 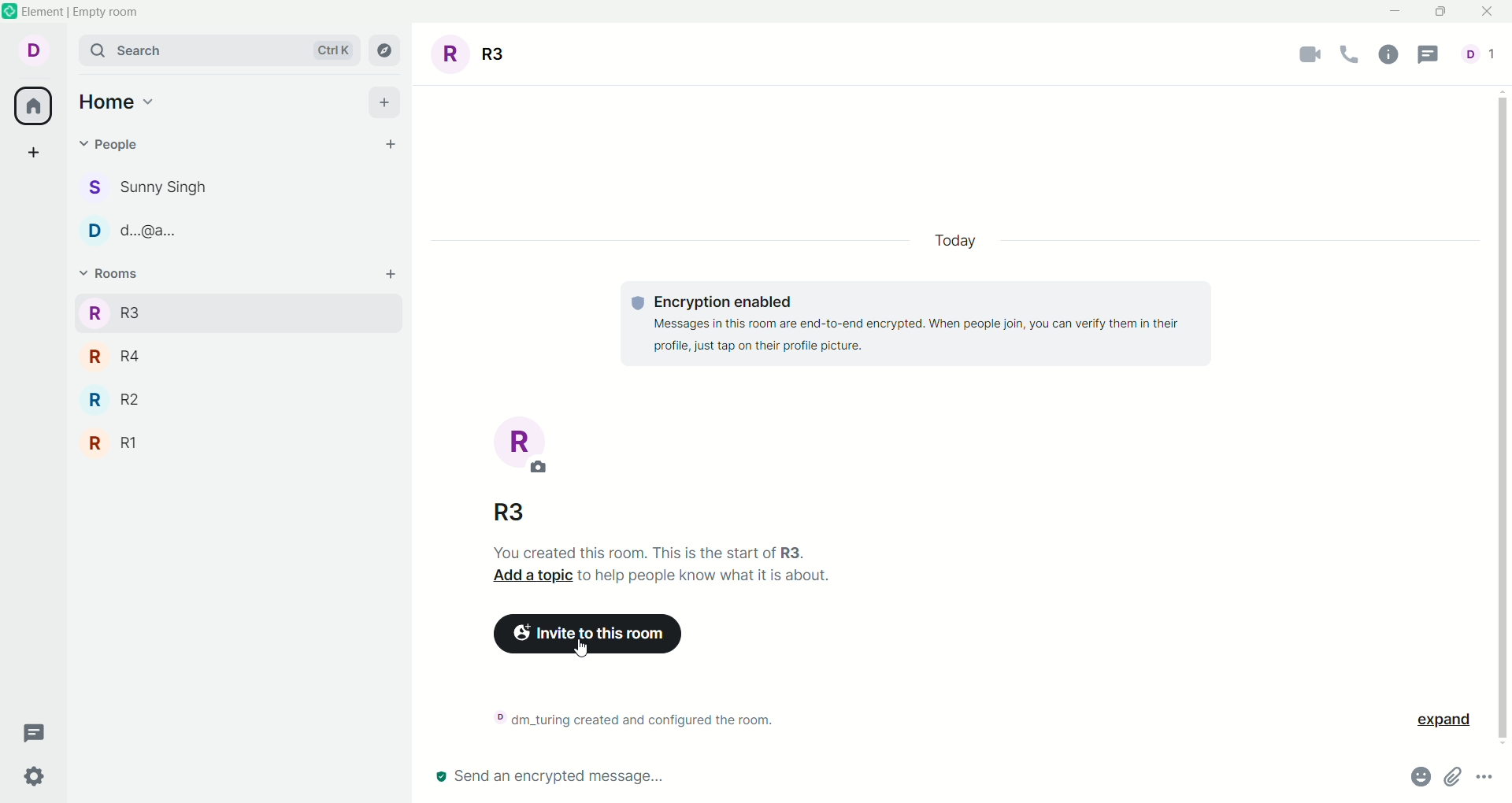 What do you see at coordinates (653, 564) in the screenshot?
I see `You created this room. This is the start of R3.
Add a topic to help people know what it is about.` at bounding box center [653, 564].